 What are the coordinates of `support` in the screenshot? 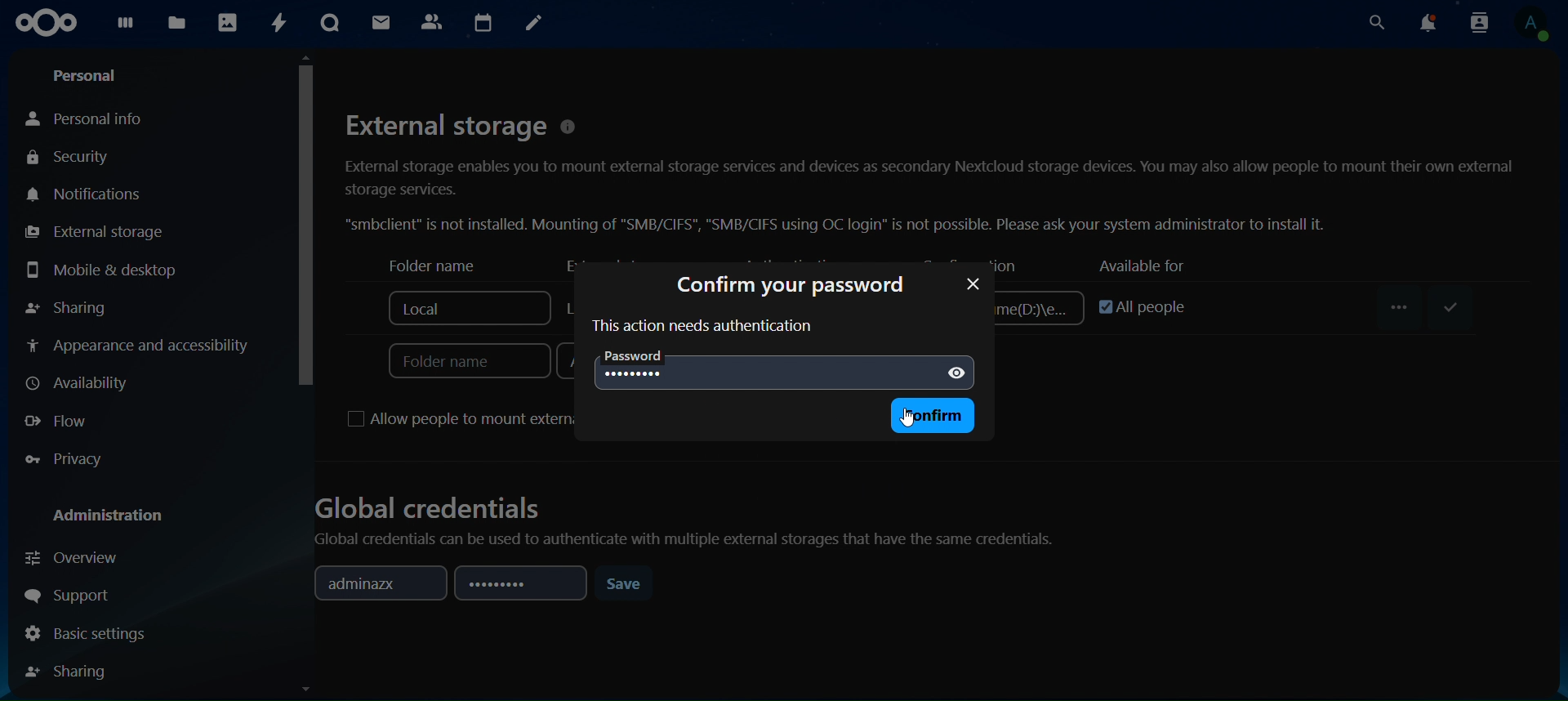 It's located at (73, 592).